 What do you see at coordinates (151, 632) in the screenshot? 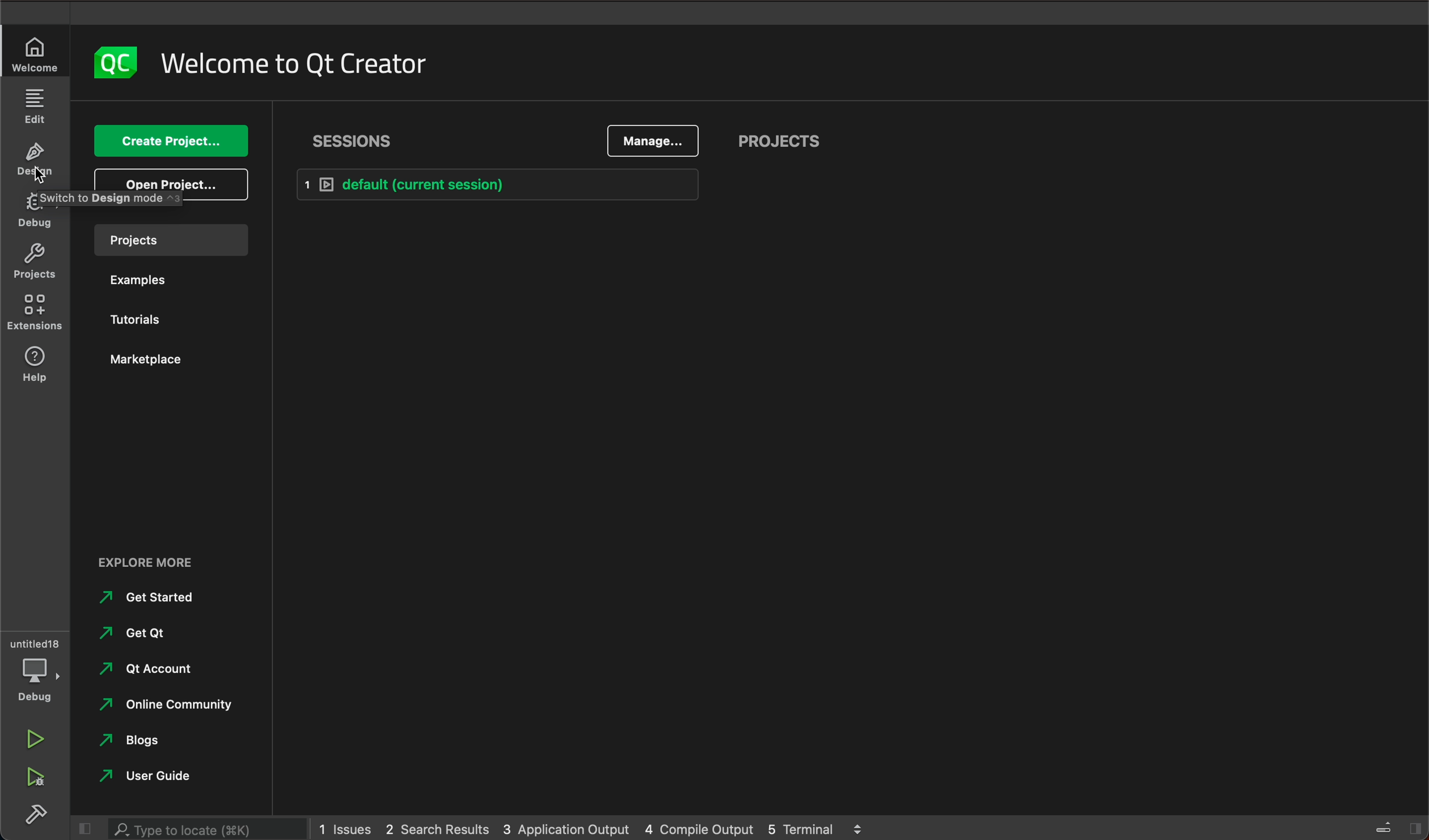
I see `get qt` at bounding box center [151, 632].